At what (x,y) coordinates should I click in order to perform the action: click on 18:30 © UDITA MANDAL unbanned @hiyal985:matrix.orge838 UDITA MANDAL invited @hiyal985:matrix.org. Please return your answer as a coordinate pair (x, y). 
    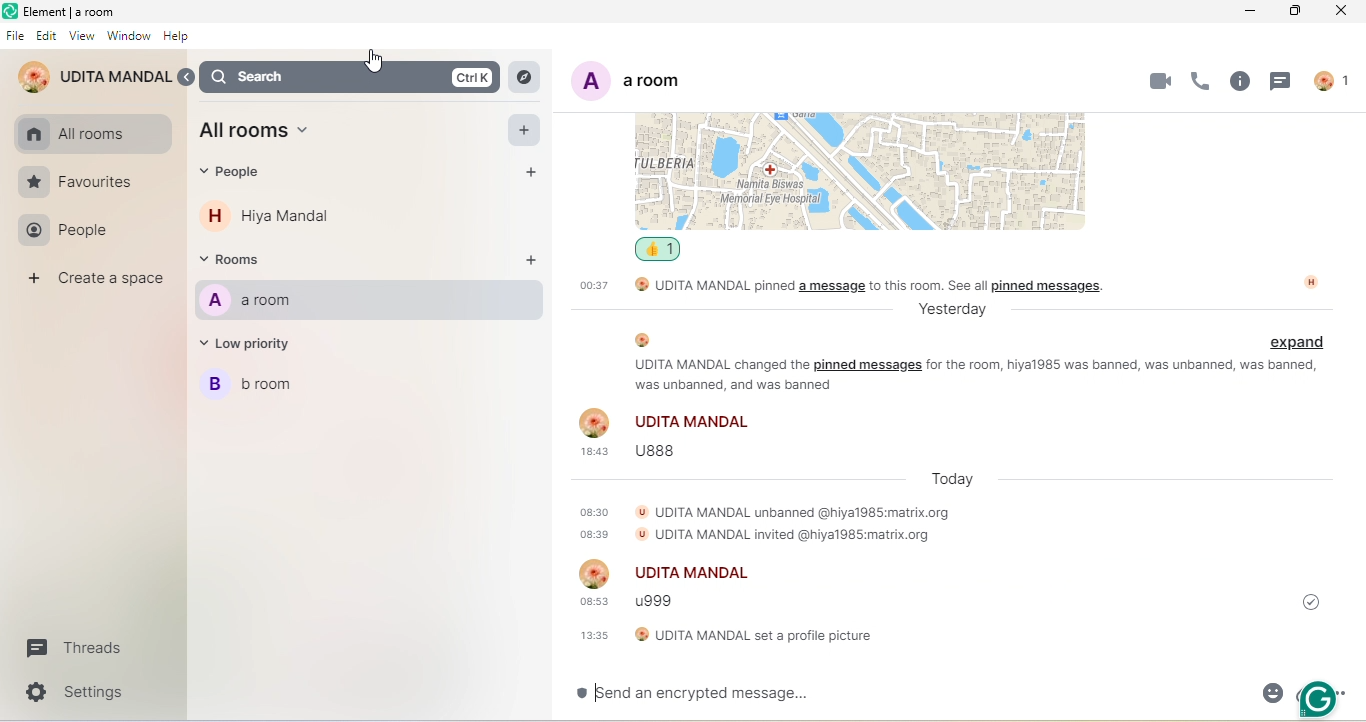
    Looking at the image, I should click on (756, 520).